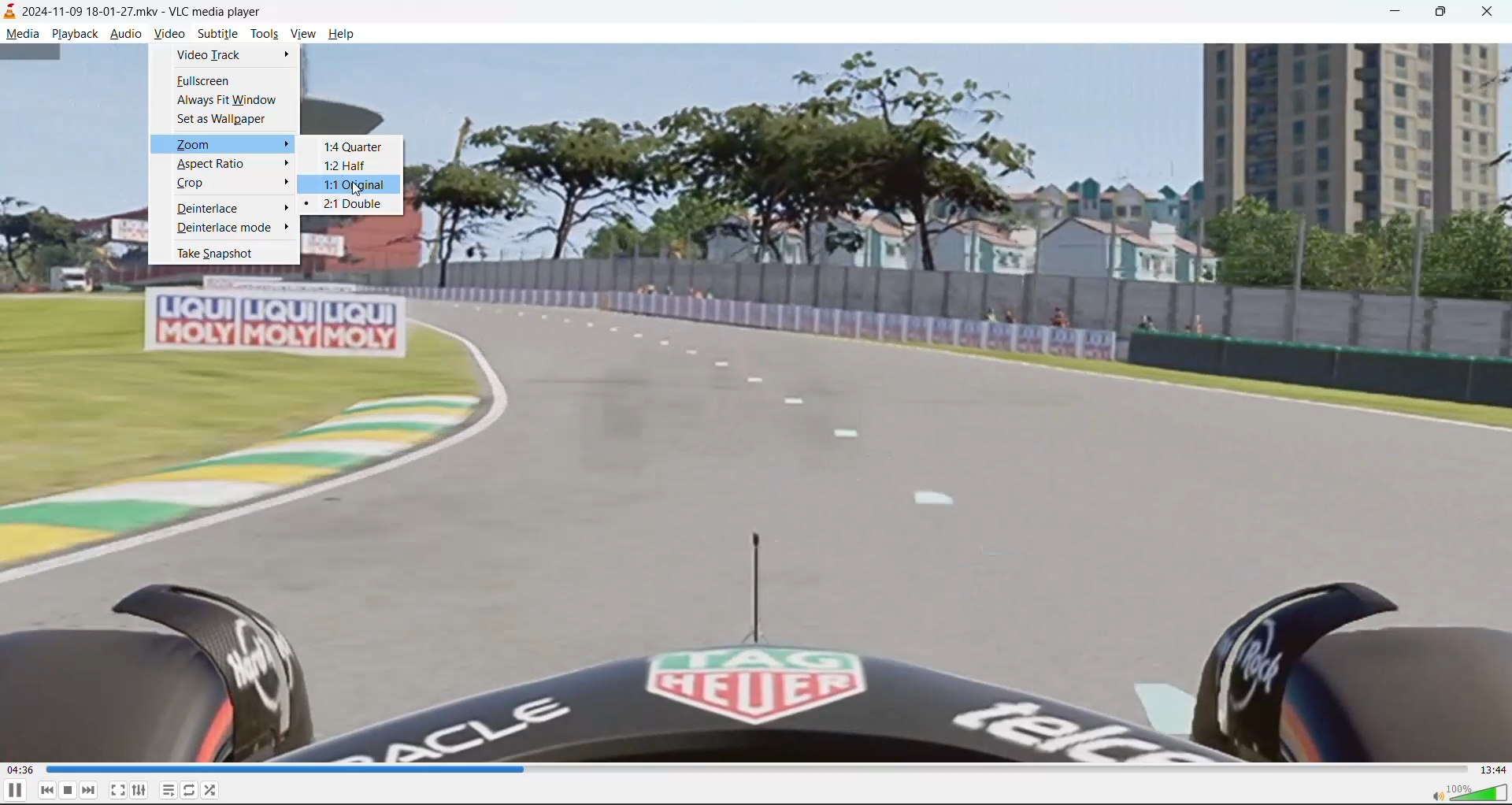 Image resolution: width=1512 pixels, height=805 pixels. Describe the element at coordinates (138, 789) in the screenshot. I see `settings` at that location.